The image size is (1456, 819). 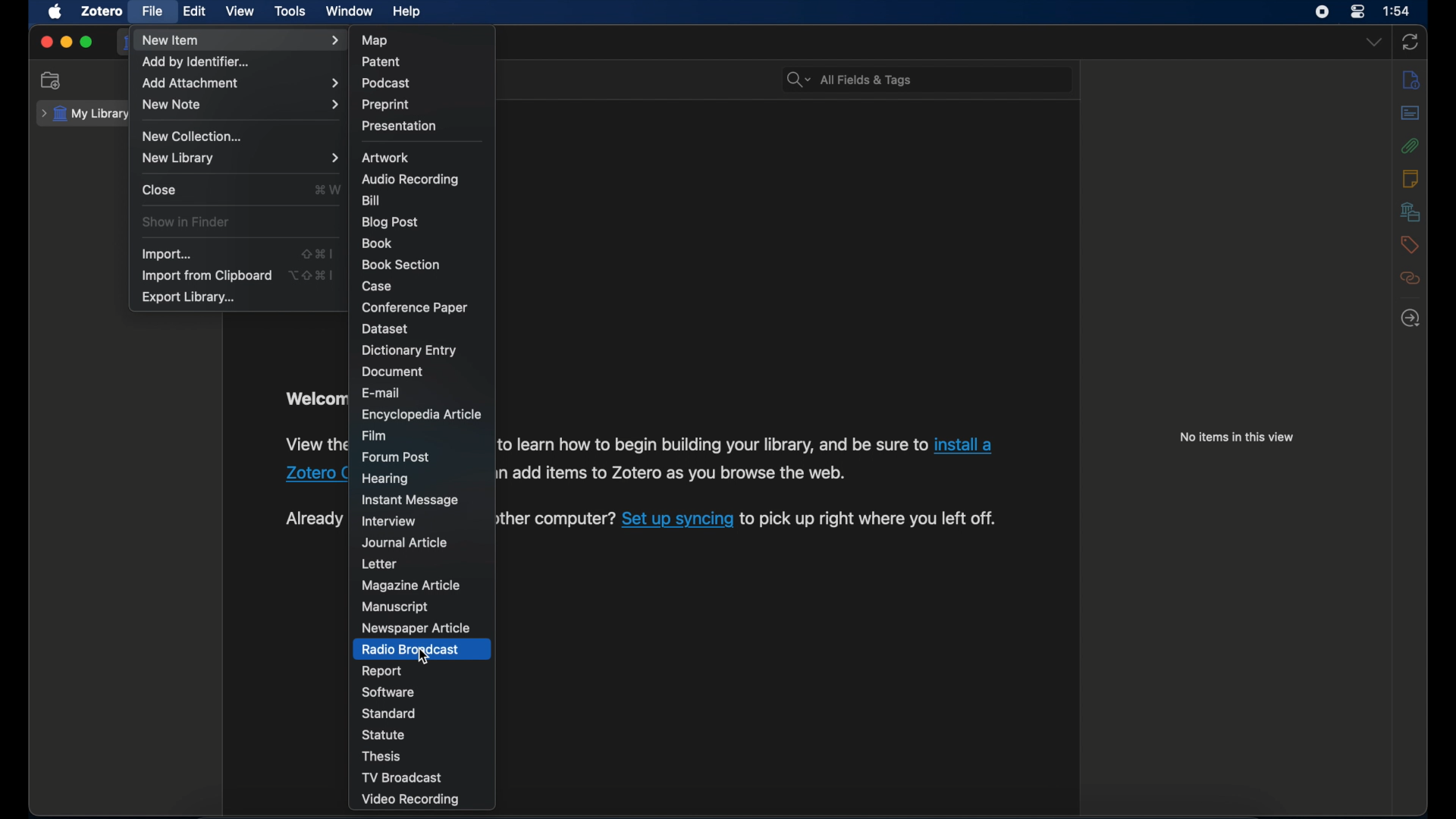 I want to click on command + W, so click(x=328, y=189).